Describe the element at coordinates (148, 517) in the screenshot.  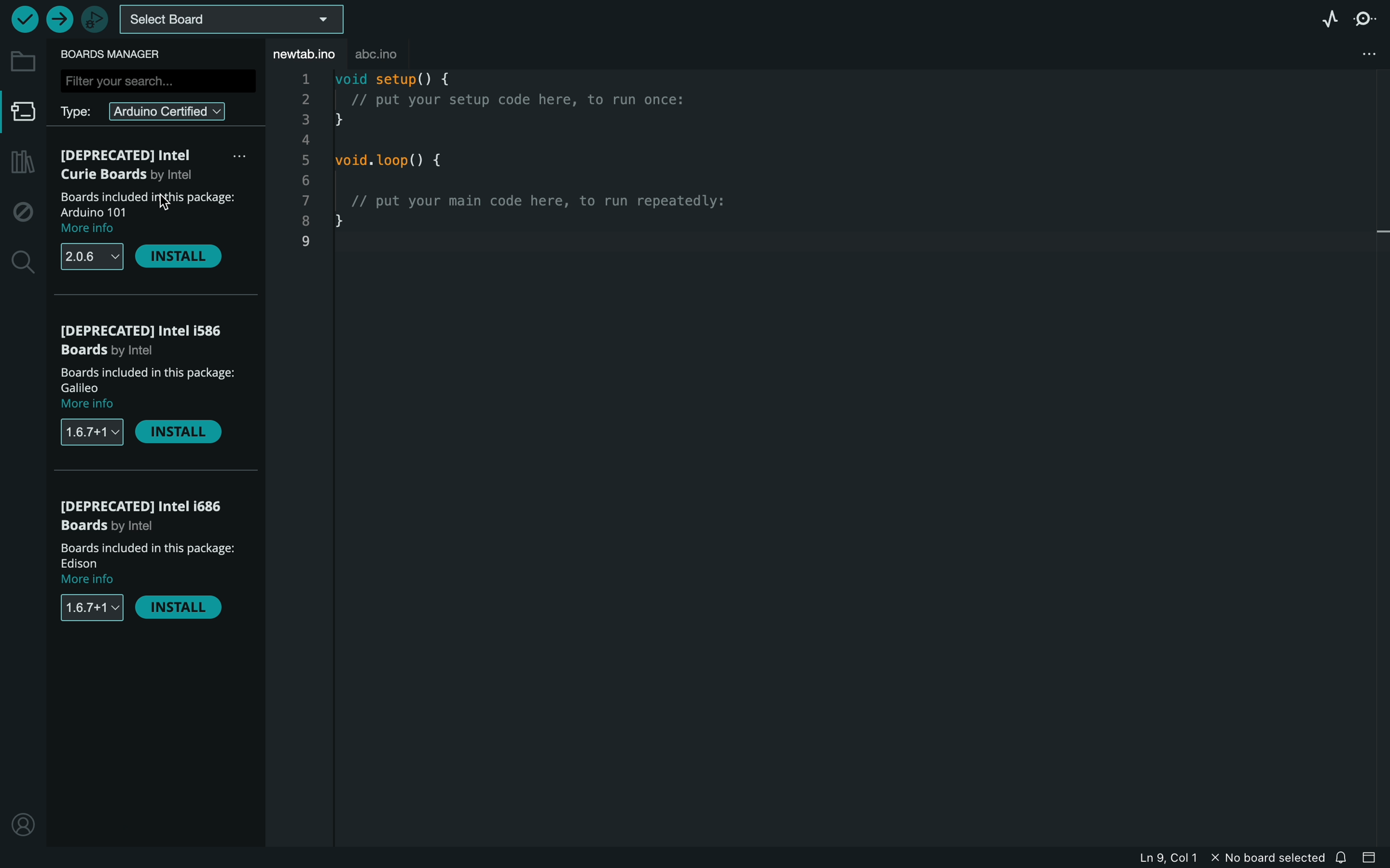
I see `intel i686` at that location.